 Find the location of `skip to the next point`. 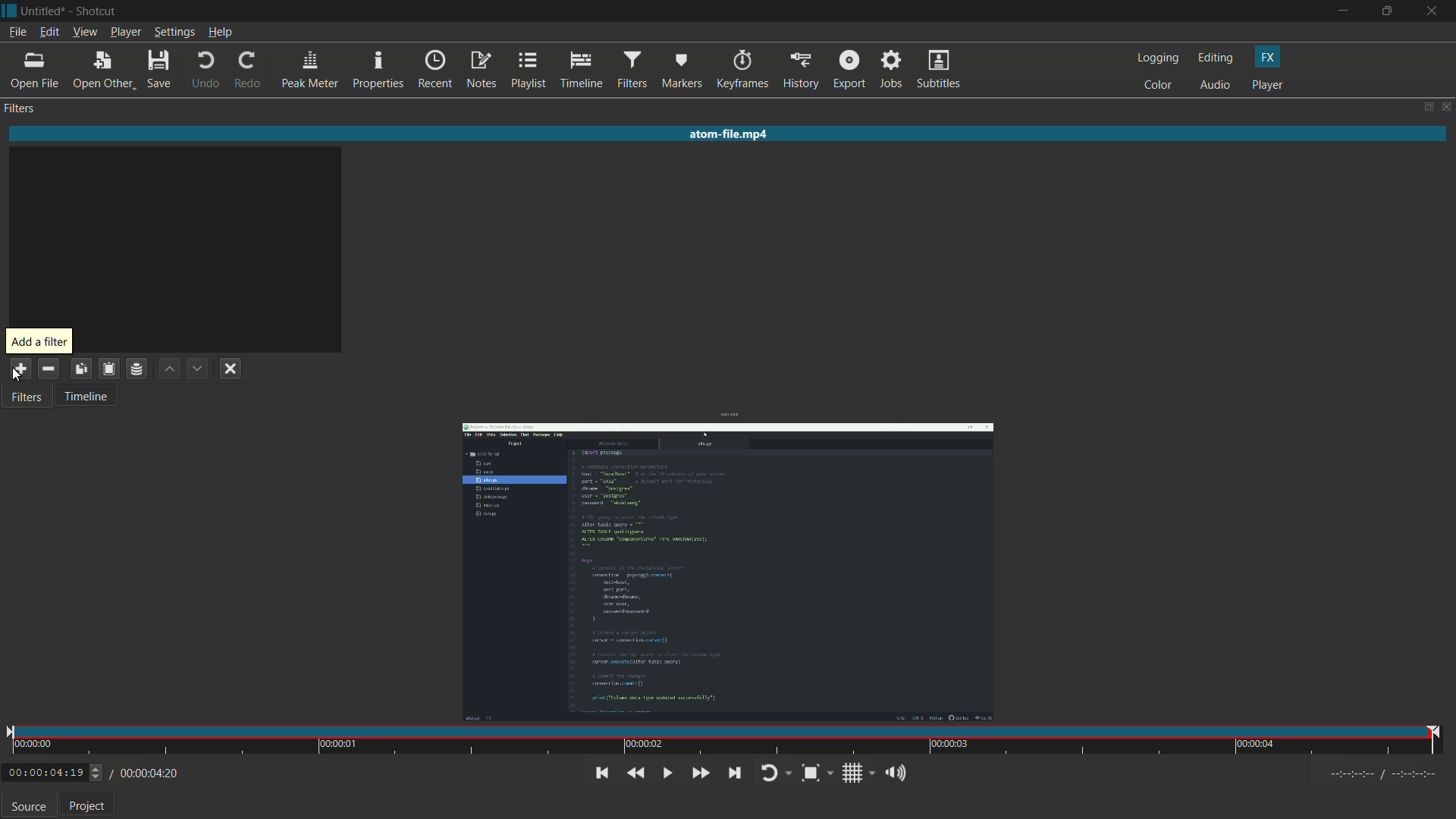

skip to the next point is located at coordinates (739, 773).